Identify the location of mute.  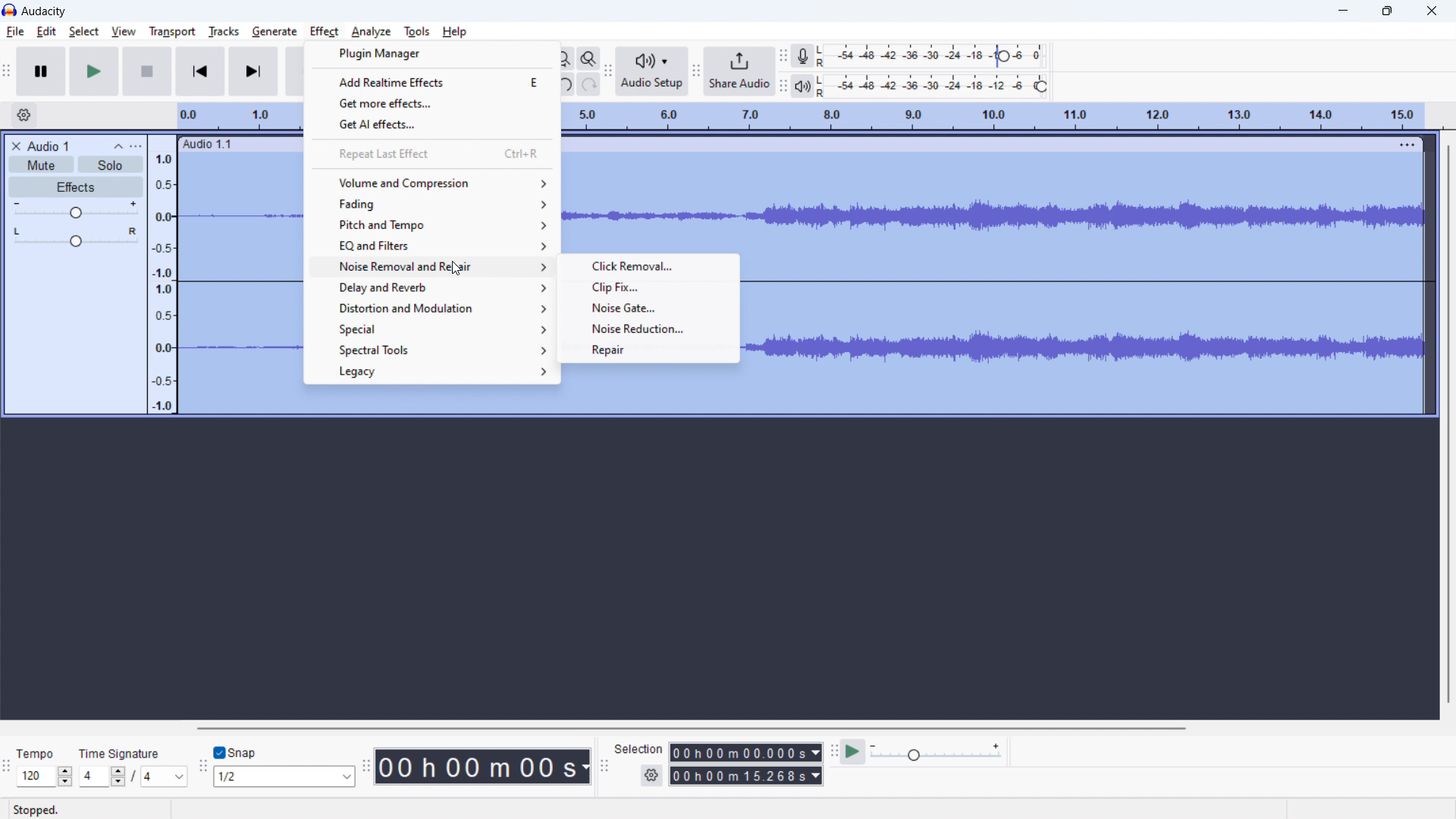
(41, 165).